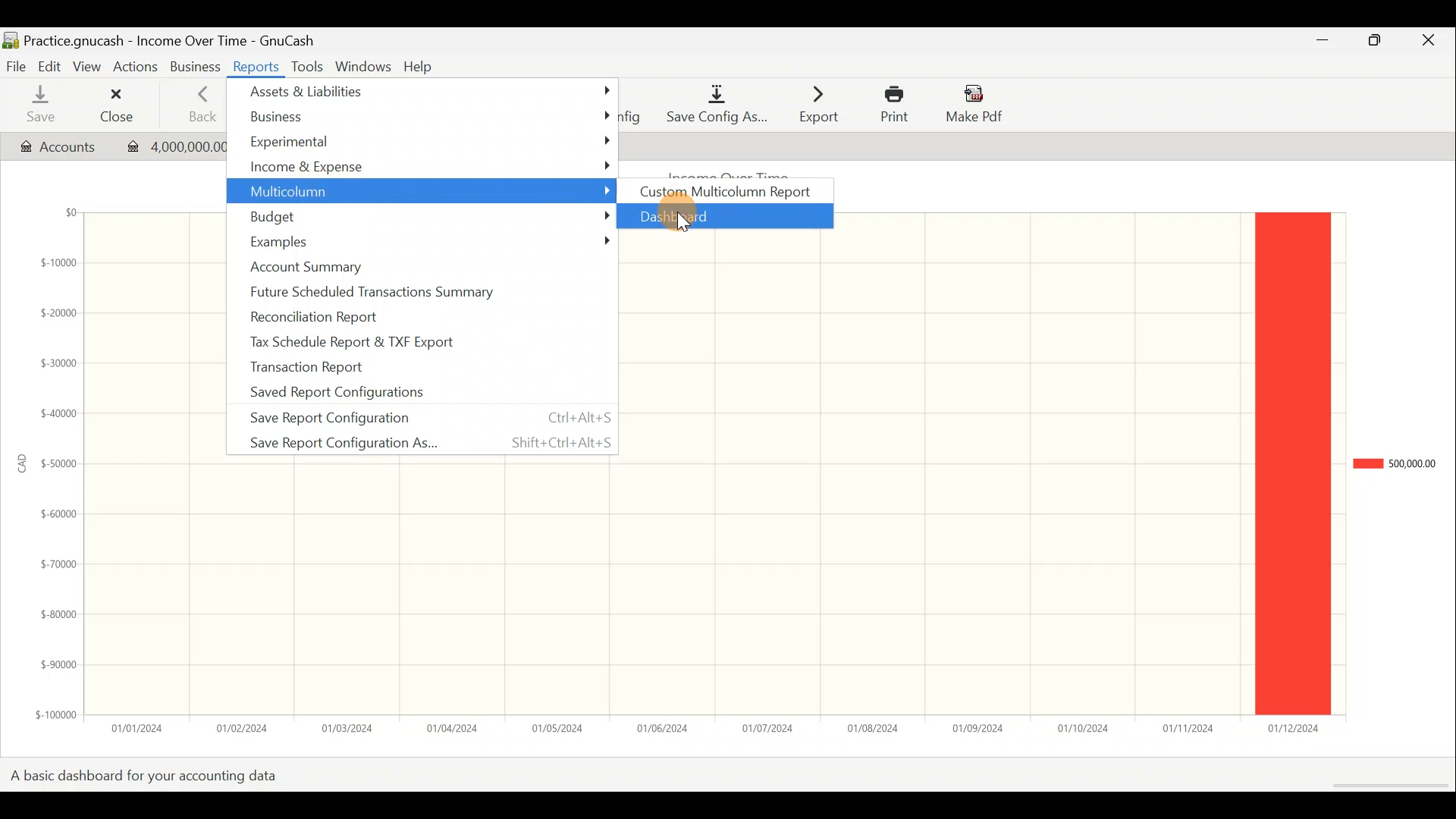 This screenshot has height=819, width=1456. What do you see at coordinates (254, 67) in the screenshot?
I see `Reports` at bounding box center [254, 67].